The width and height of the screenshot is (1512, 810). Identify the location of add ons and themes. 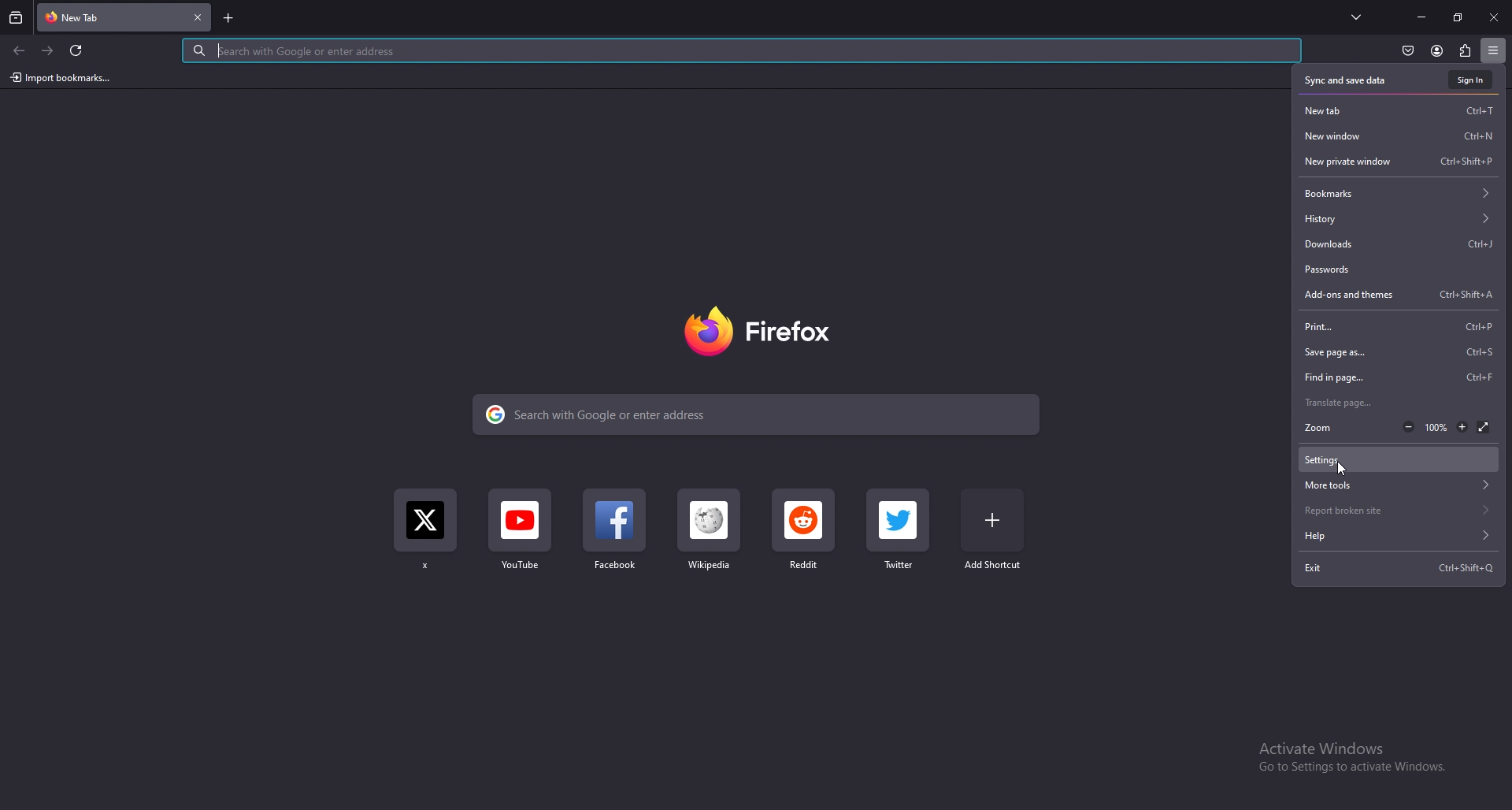
(1403, 295).